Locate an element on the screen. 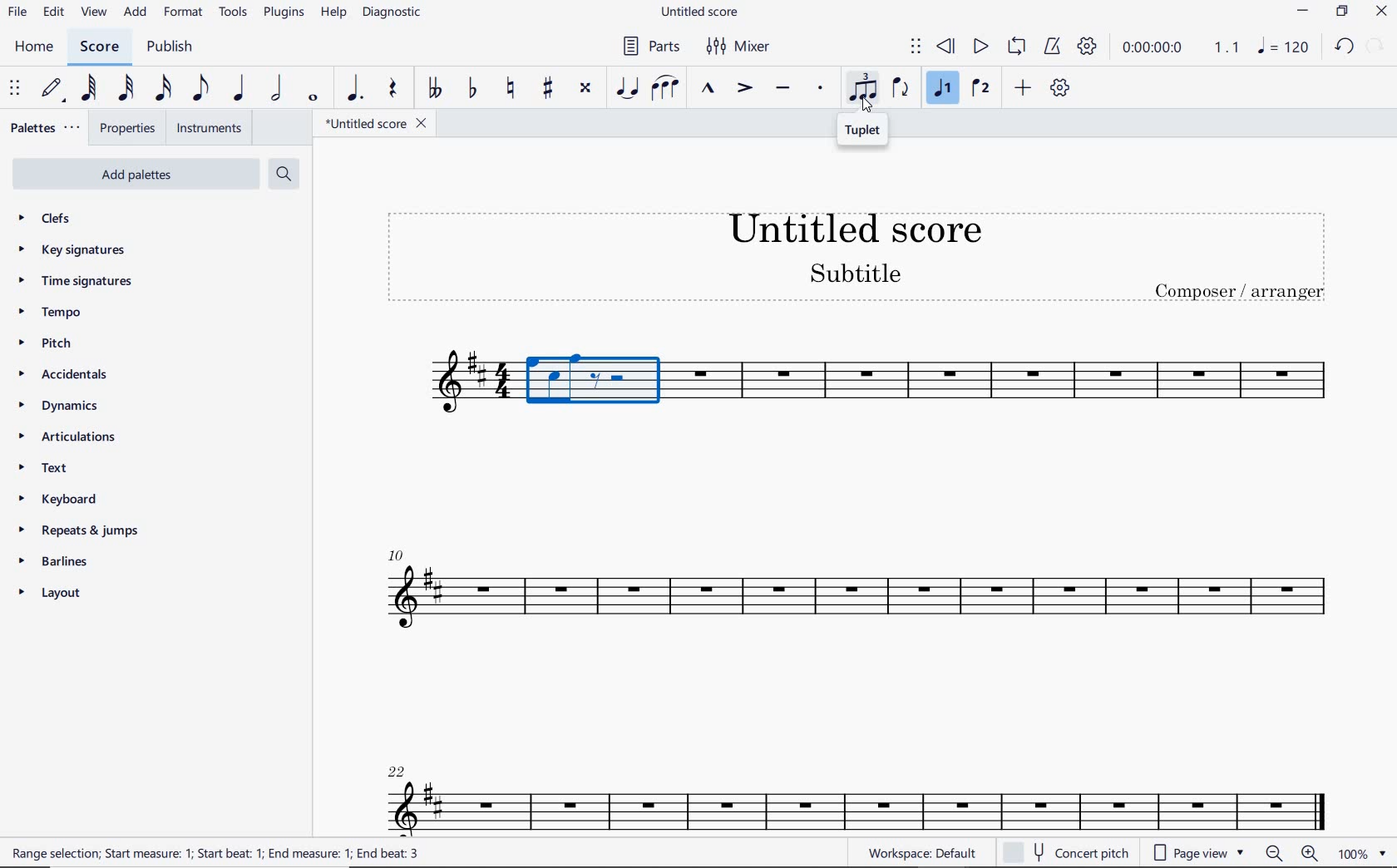 The height and width of the screenshot is (868, 1397). INSTRUMENTS is located at coordinates (208, 129).